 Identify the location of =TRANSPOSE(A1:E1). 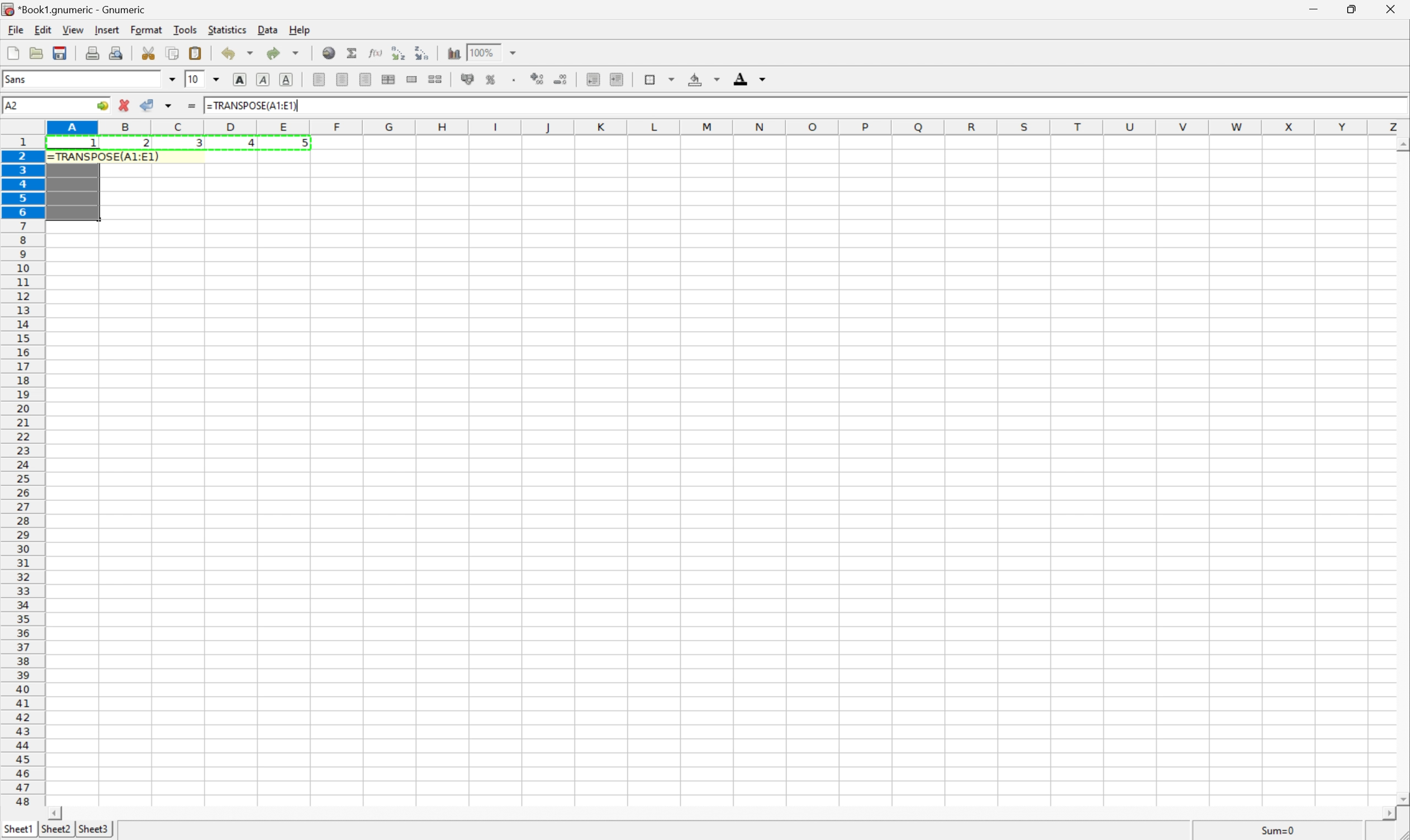
(105, 157).